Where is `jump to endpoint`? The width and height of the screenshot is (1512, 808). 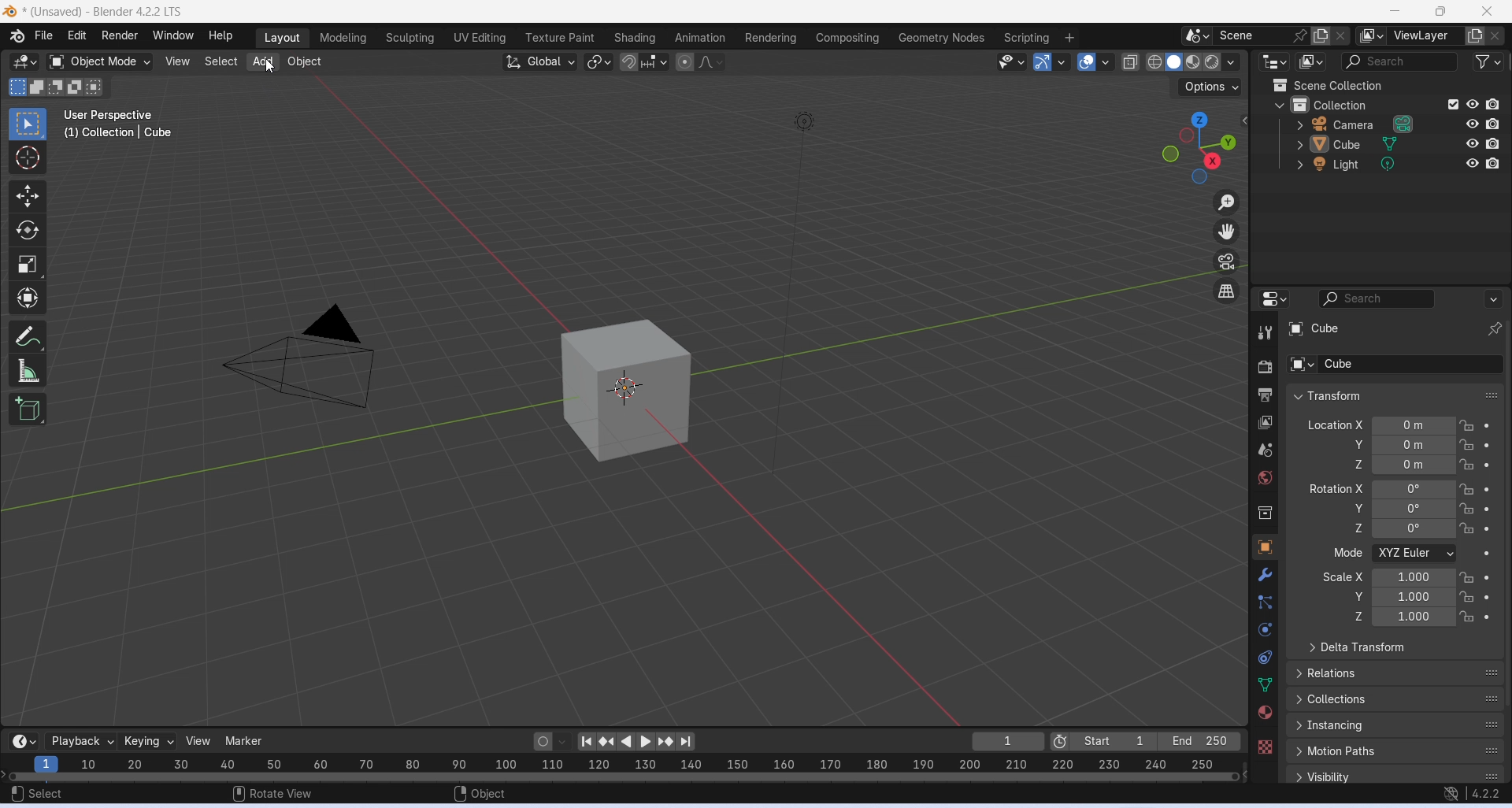 jump to endpoint is located at coordinates (586, 742).